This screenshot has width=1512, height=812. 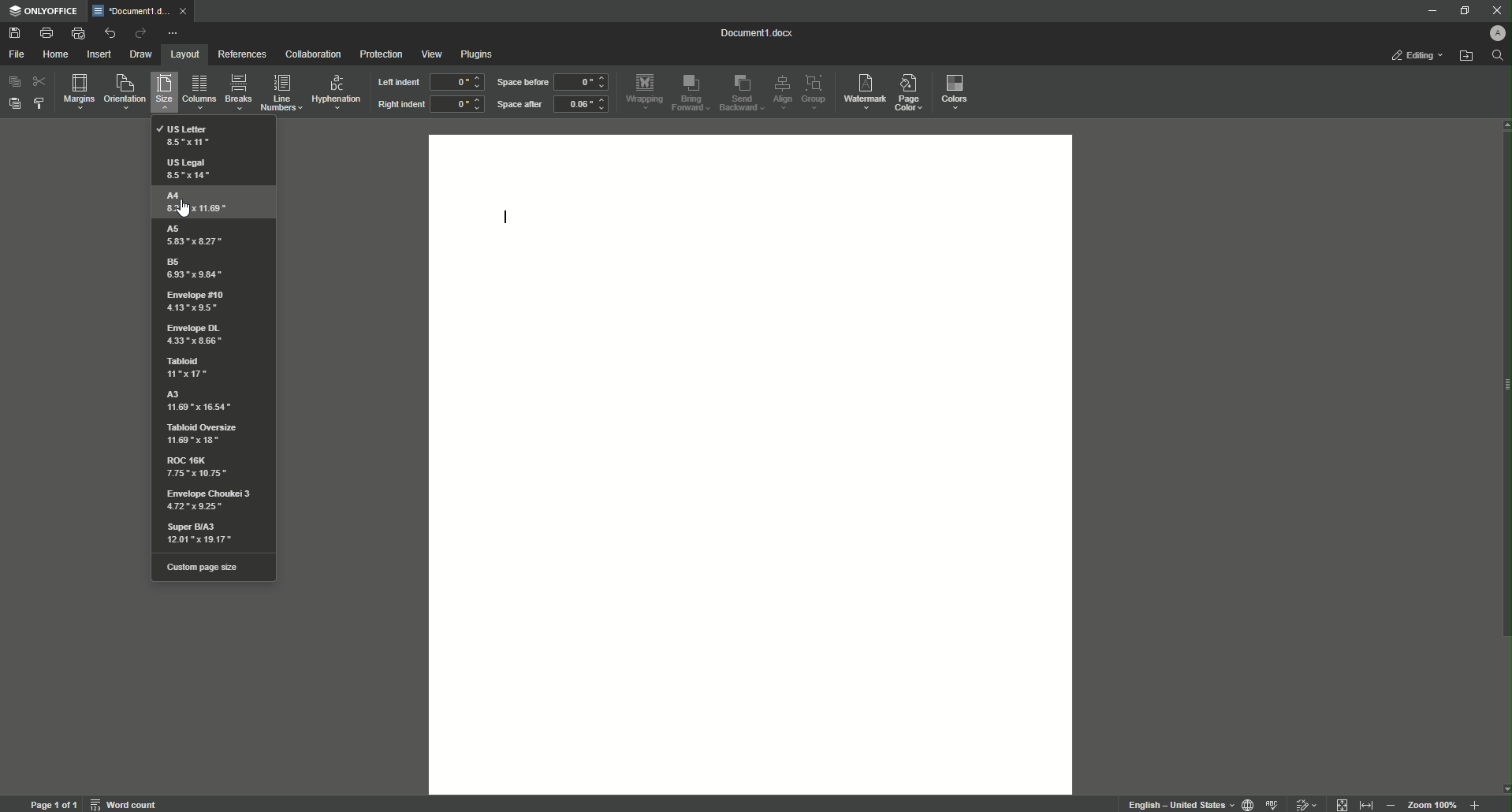 I want to click on ONLYOFFICE, so click(x=45, y=10).